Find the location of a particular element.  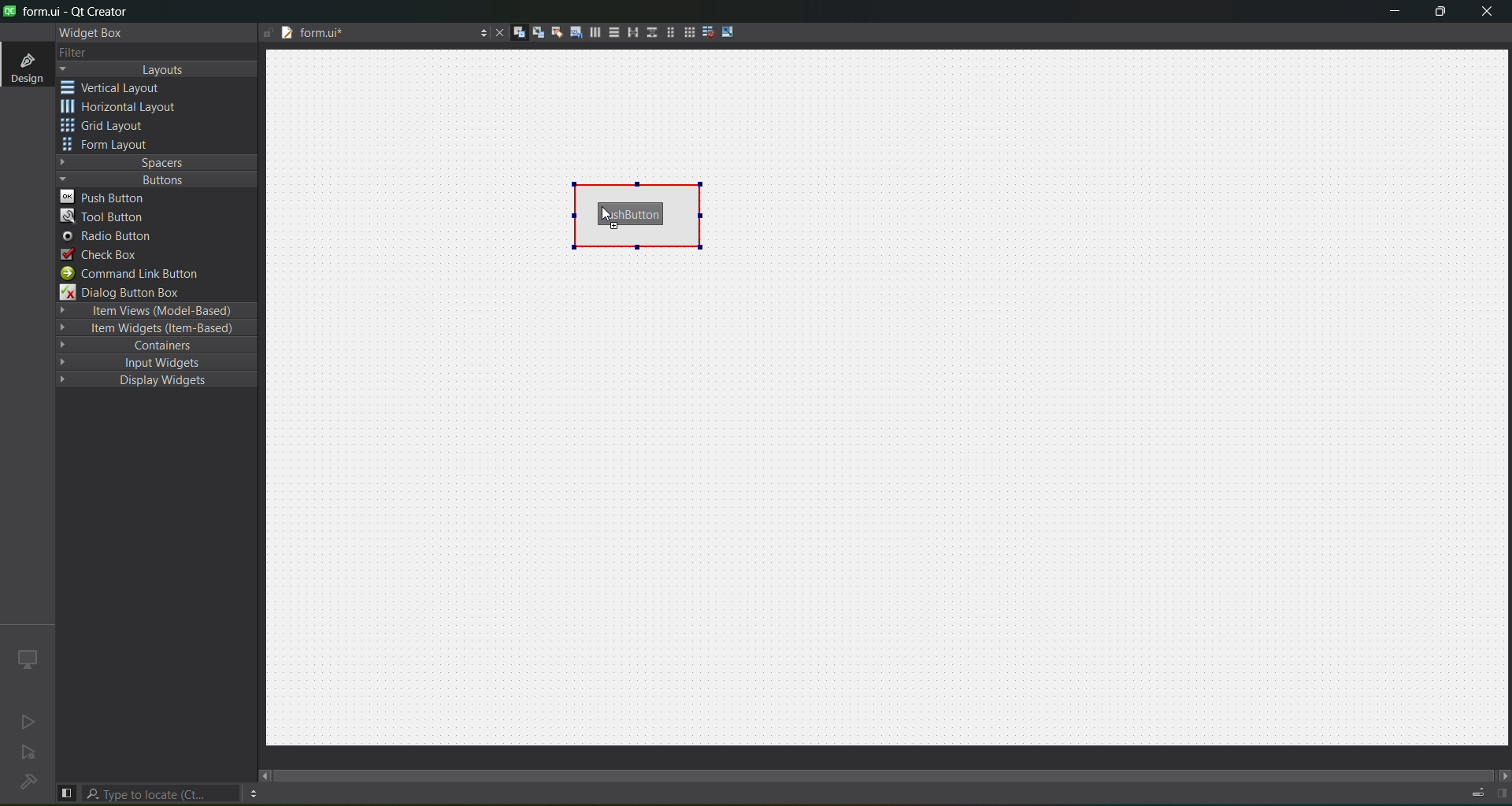

button is located at coordinates (154, 179).